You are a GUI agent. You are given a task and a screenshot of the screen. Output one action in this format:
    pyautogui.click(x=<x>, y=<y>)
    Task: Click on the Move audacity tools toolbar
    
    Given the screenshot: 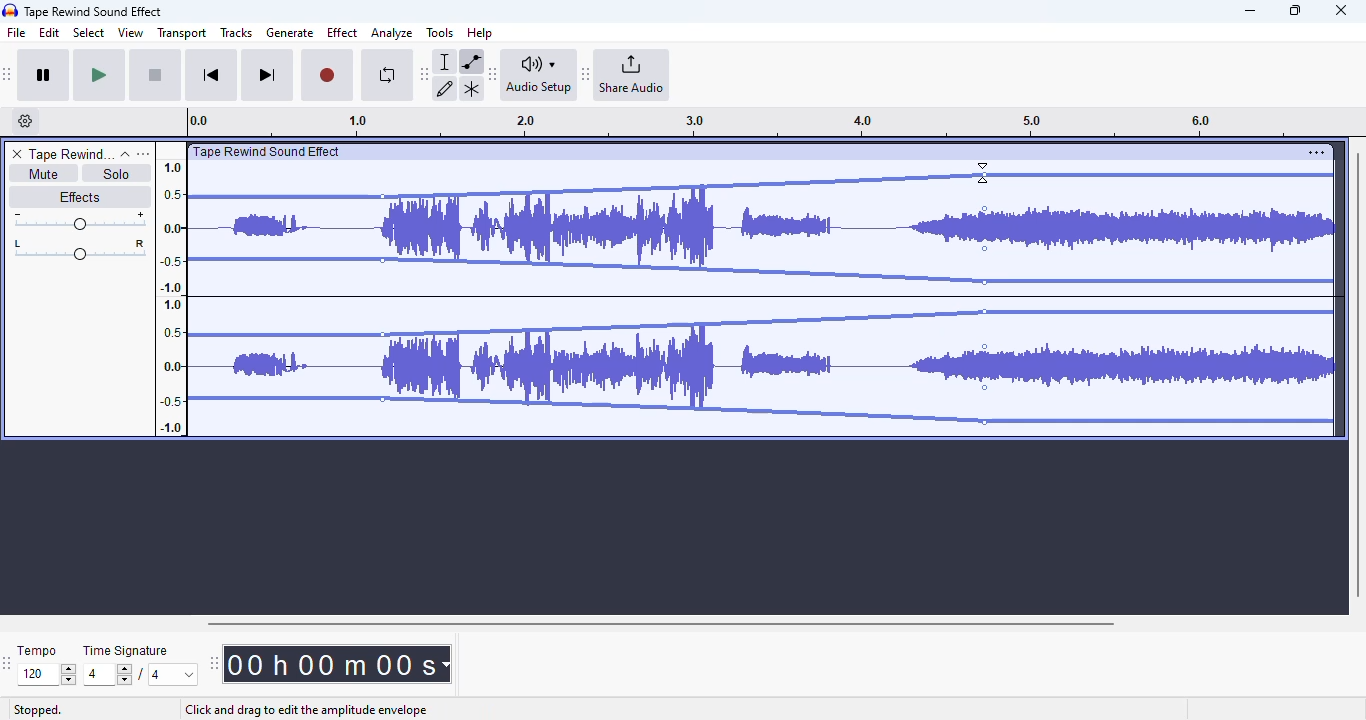 What is the action you would take?
    pyautogui.click(x=425, y=73)
    